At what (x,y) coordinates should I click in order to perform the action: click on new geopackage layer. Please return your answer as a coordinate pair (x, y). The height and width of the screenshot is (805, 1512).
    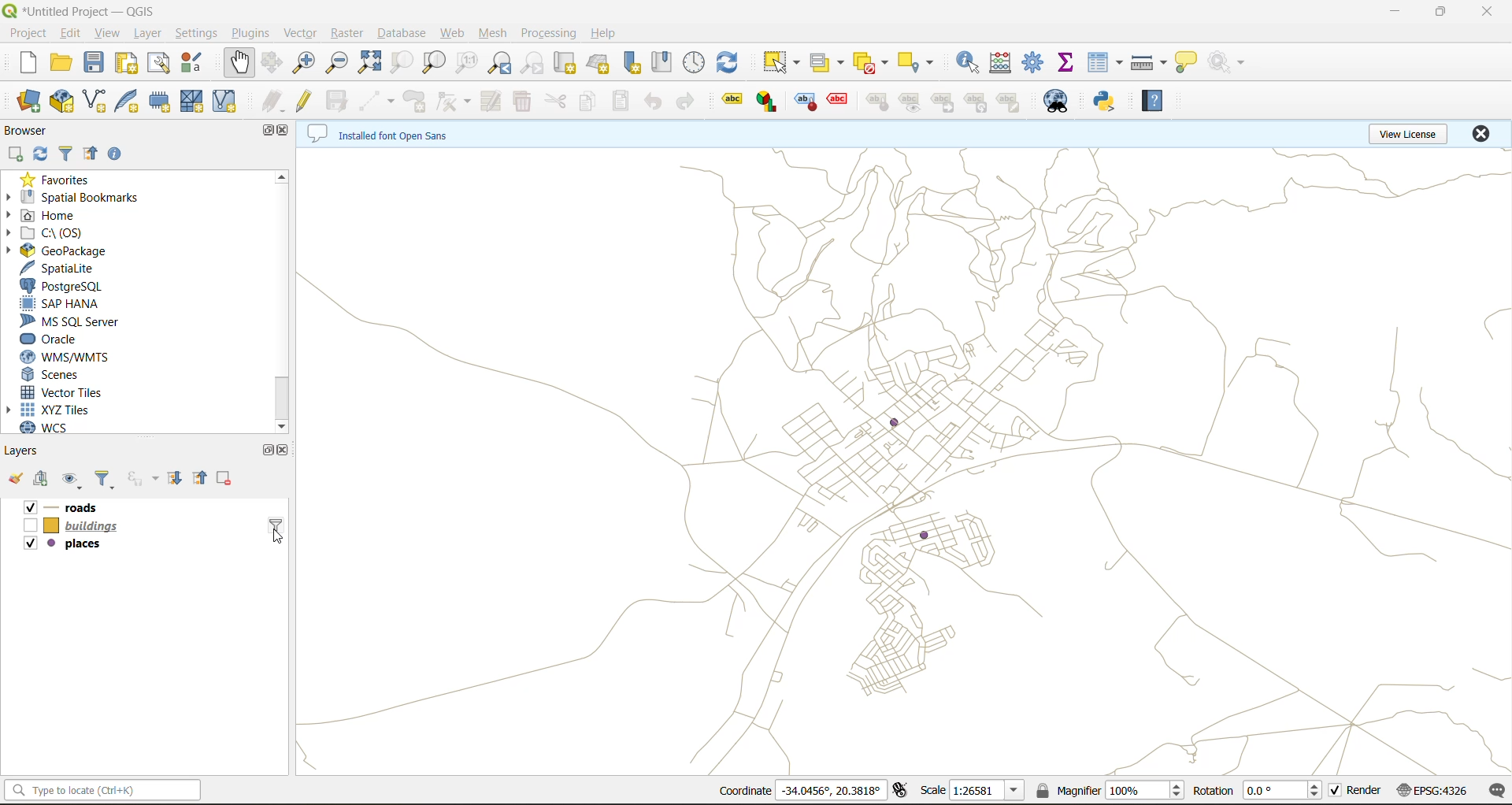
    Looking at the image, I should click on (61, 102).